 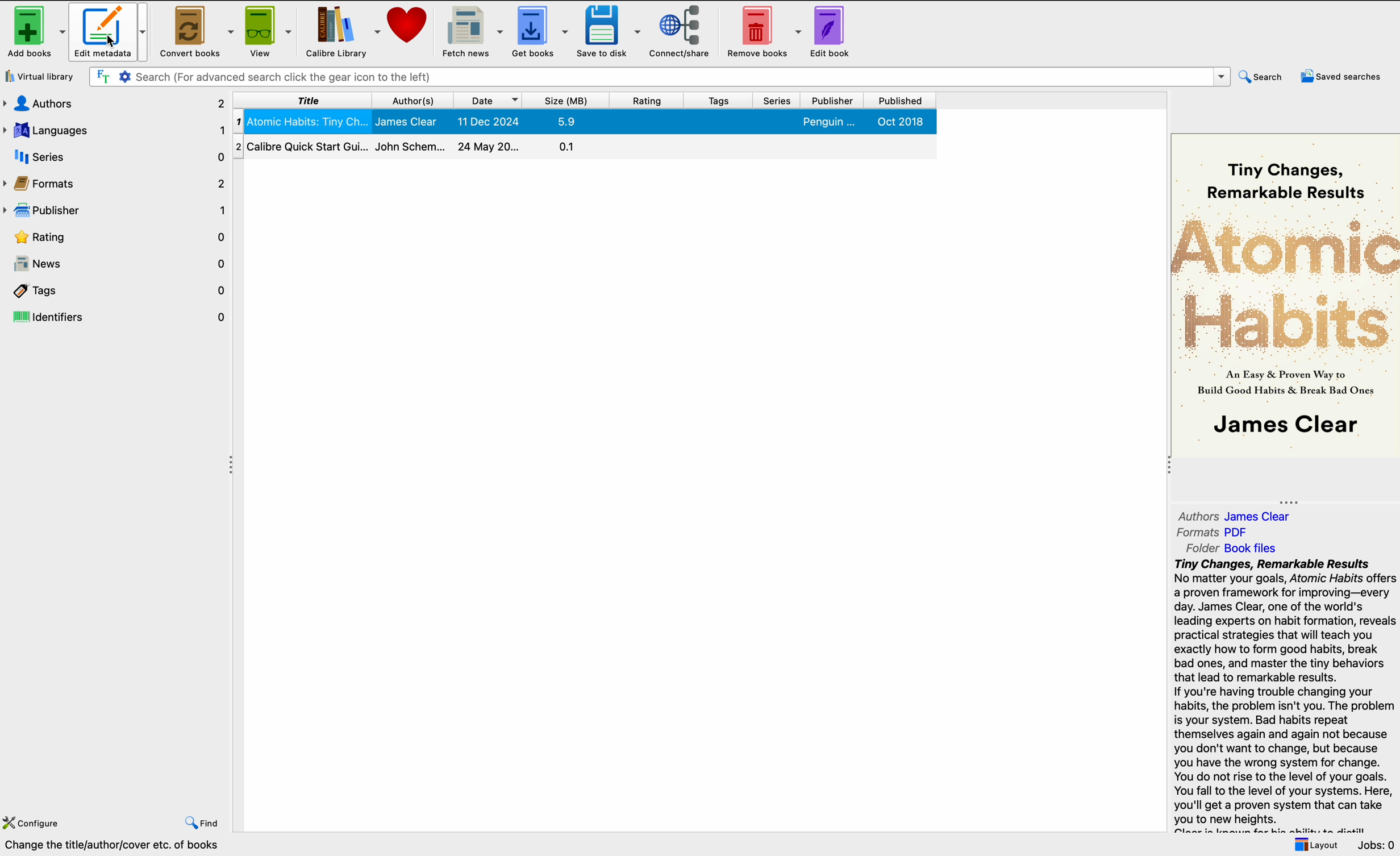 I want to click on click on metadata, so click(x=109, y=33).